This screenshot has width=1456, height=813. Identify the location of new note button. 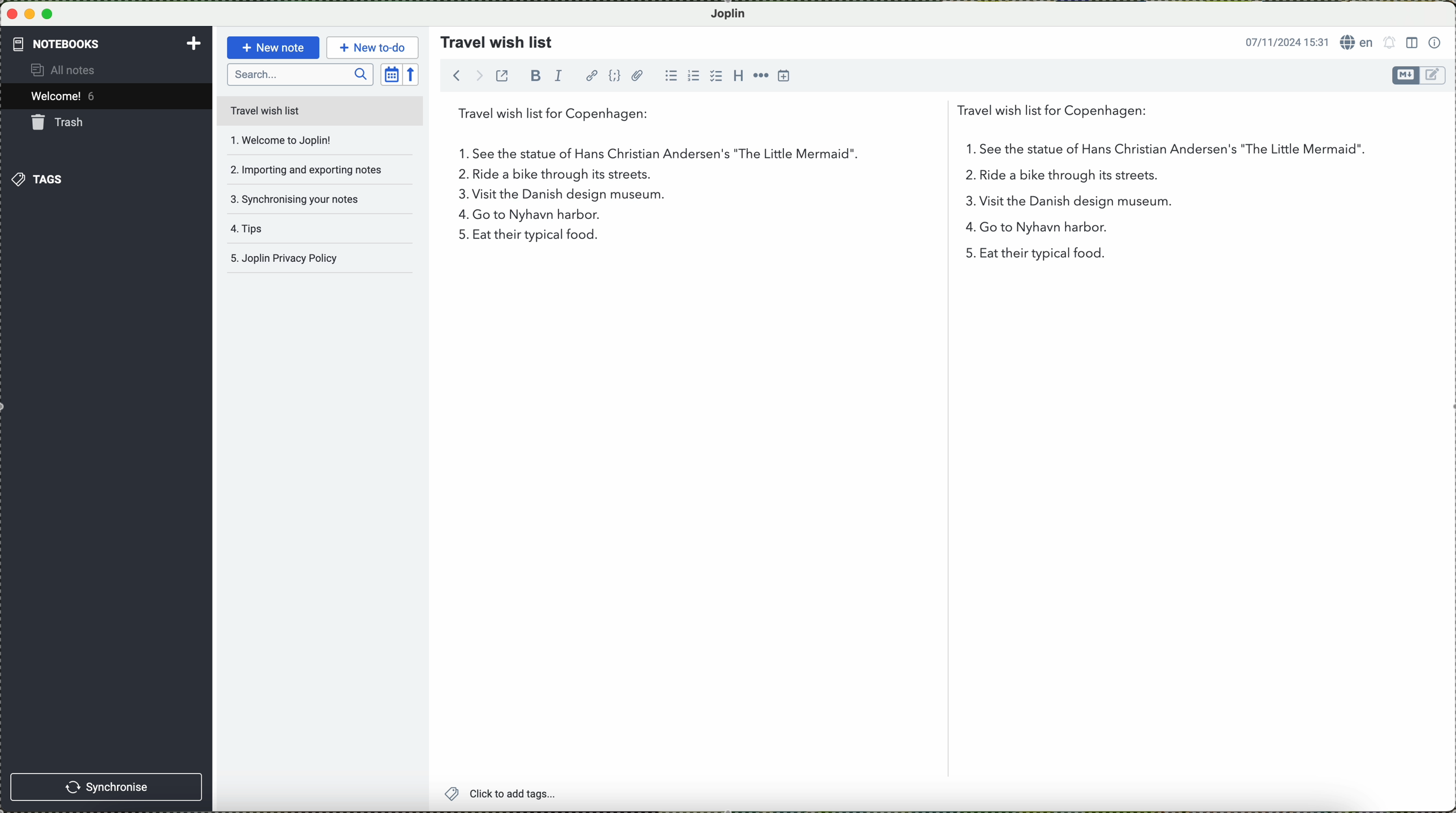
(271, 47).